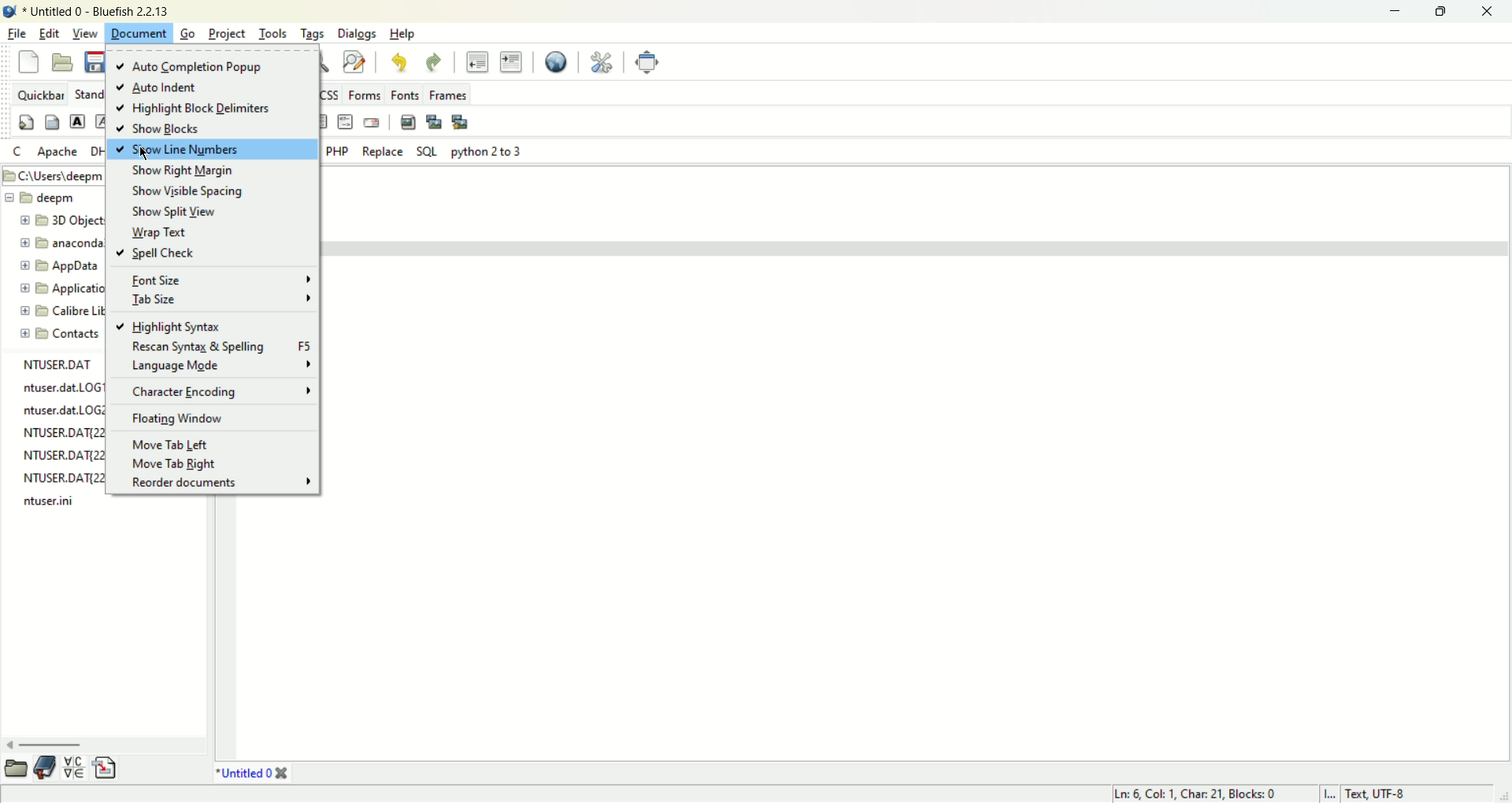 Image resolution: width=1512 pixels, height=803 pixels. I want to click on file, so click(17, 33).